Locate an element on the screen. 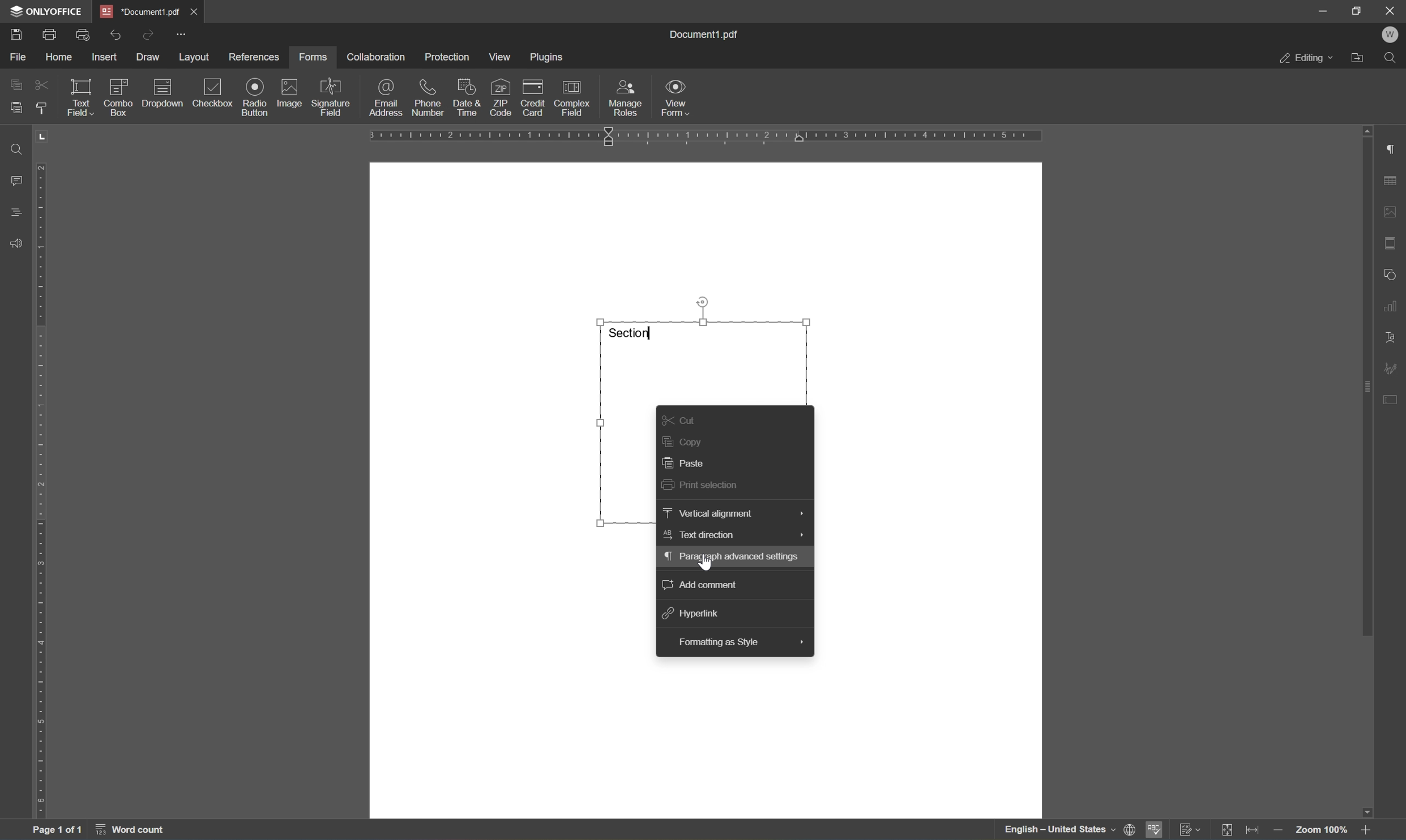  spell checking is located at coordinates (1153, 830).